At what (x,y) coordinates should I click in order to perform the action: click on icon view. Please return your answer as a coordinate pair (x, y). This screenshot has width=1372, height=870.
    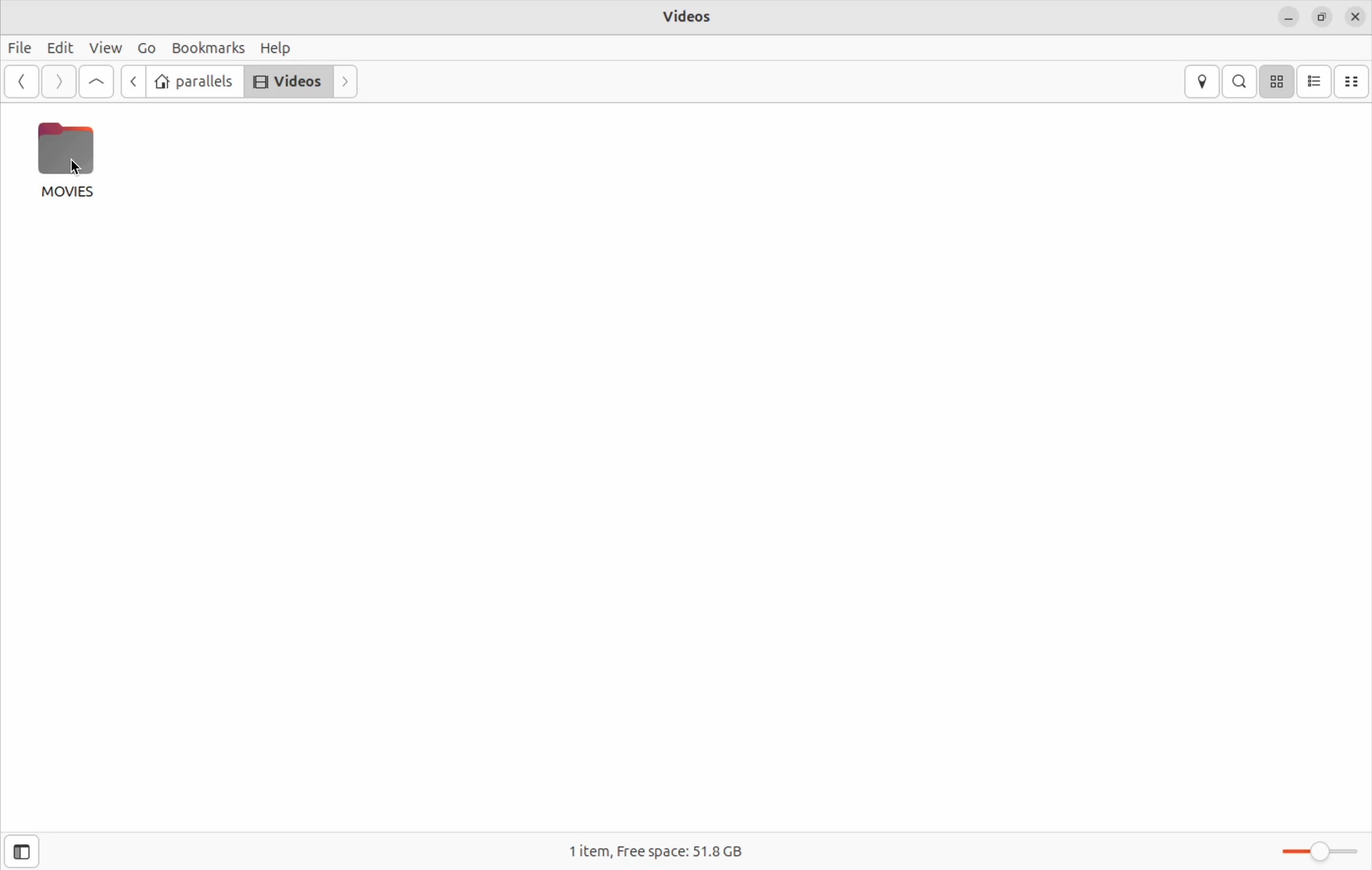
    Looking at the image, I should click on (1276, 83).